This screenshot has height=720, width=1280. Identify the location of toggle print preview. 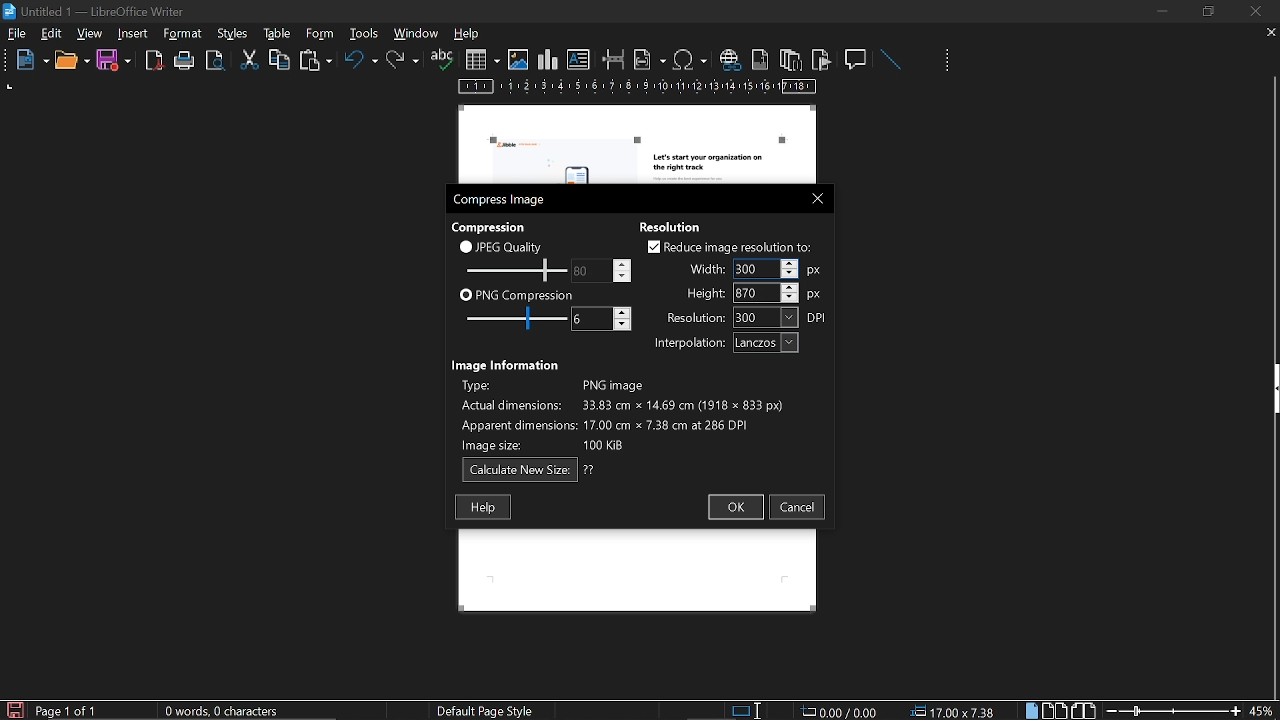
(218, 61).